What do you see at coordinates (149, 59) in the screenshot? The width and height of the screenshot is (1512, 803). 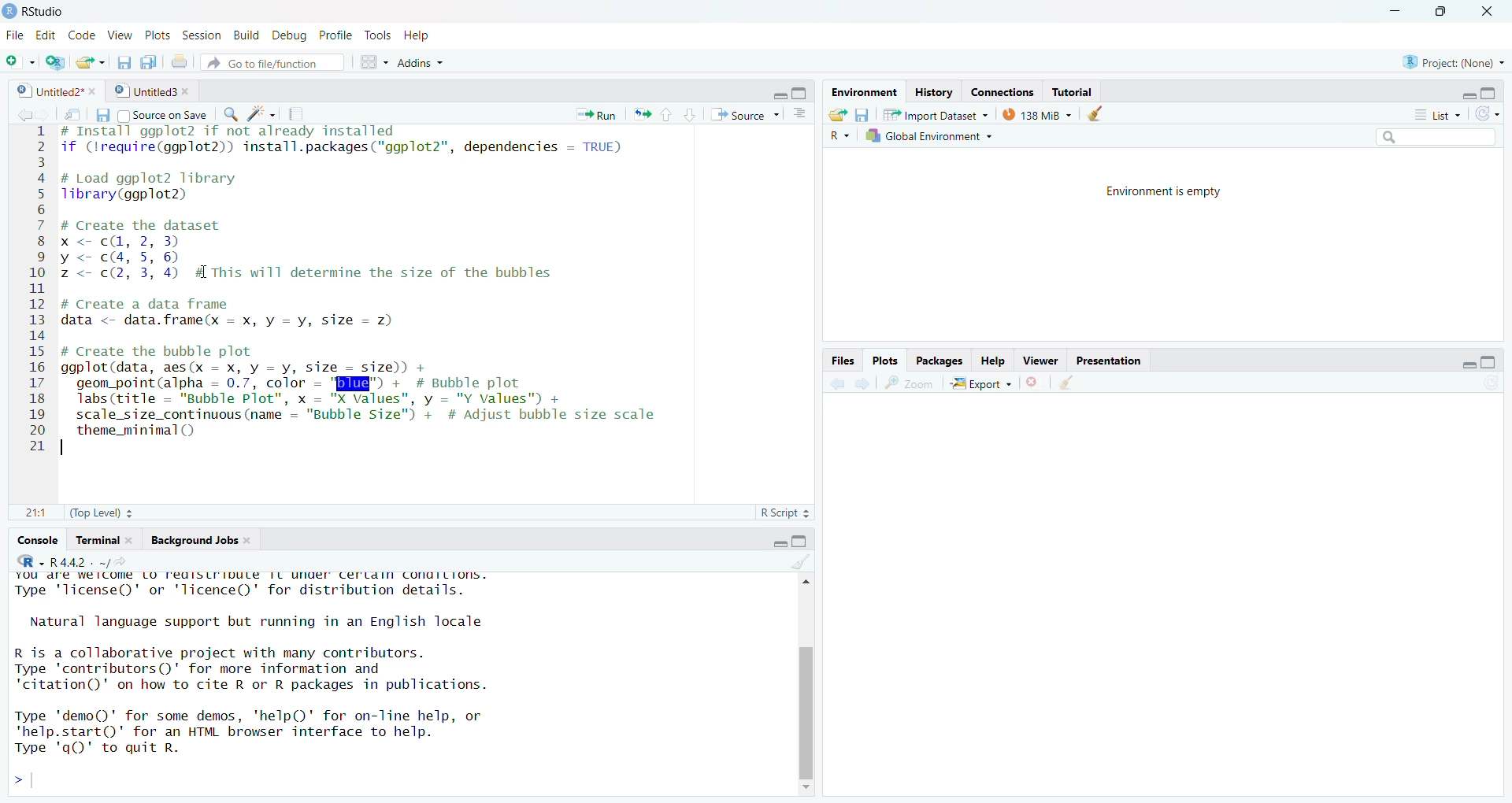 I see `save documents` at bounding box center [149, 59].